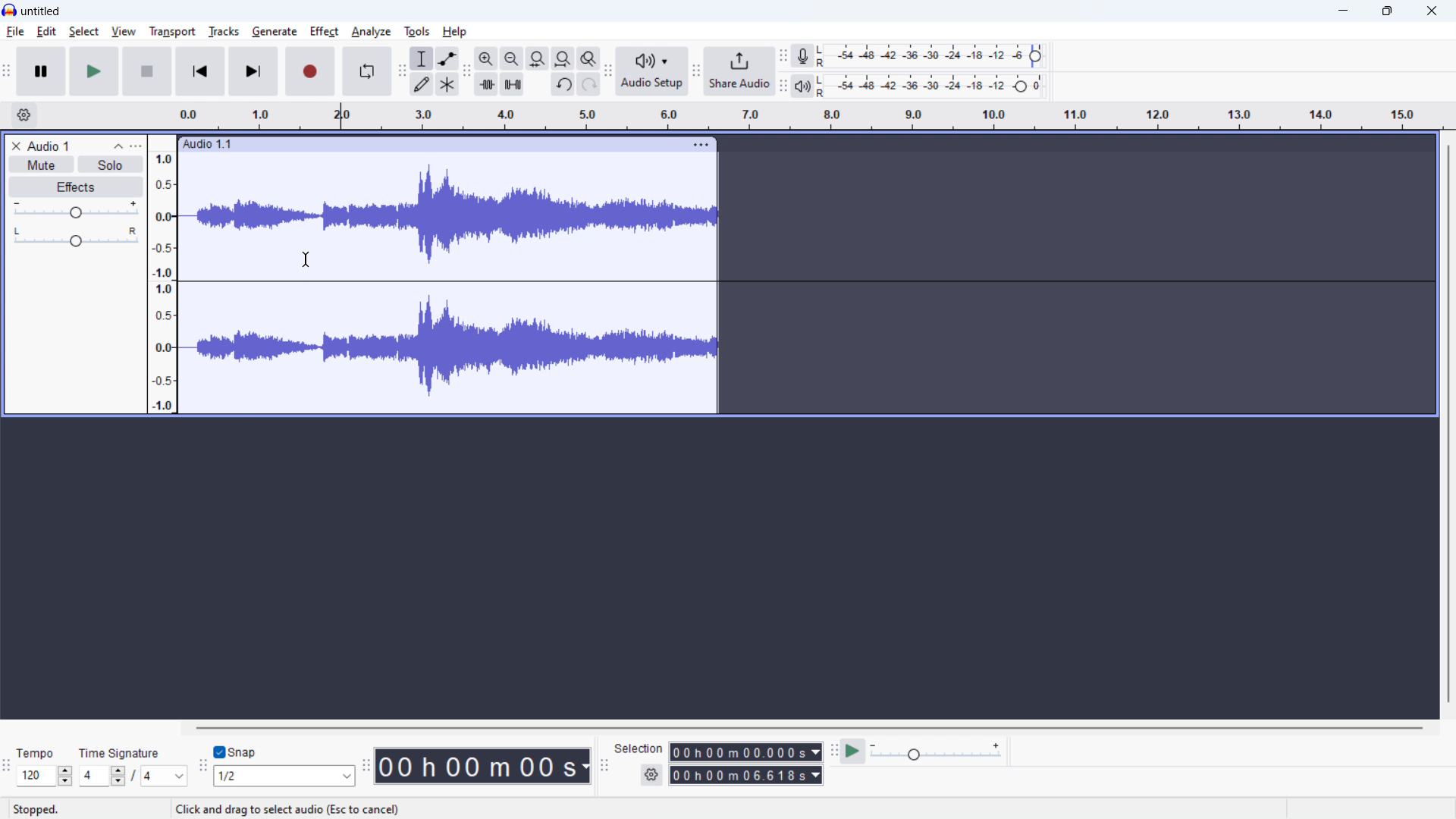  I want to click on Tempo, so click(38, 753).